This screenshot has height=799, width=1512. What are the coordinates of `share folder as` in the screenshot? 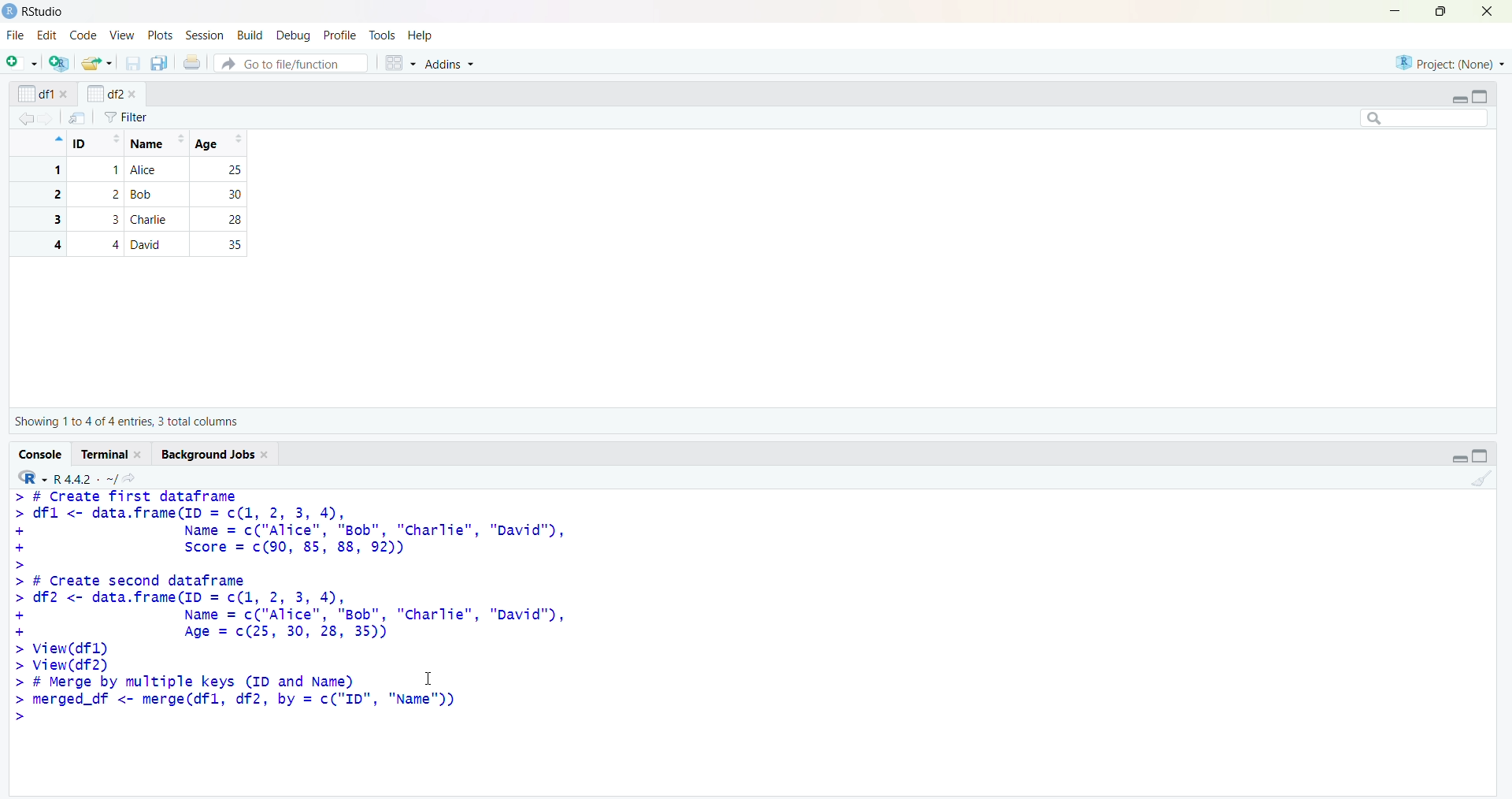 It's located at (98, 63).